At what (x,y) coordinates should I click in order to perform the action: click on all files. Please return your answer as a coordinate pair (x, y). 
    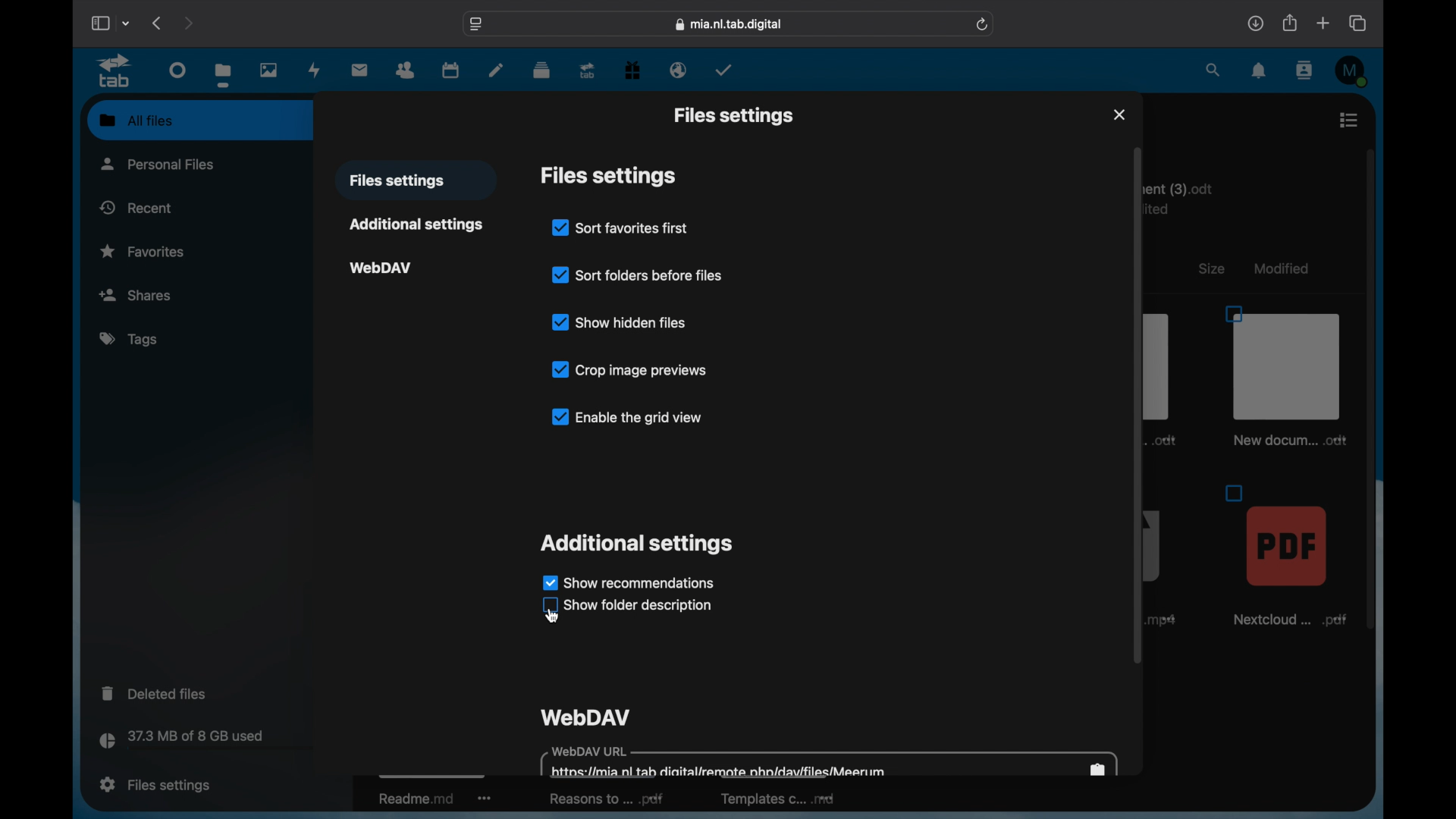
    Looking at the image, I should click on (136, 120).